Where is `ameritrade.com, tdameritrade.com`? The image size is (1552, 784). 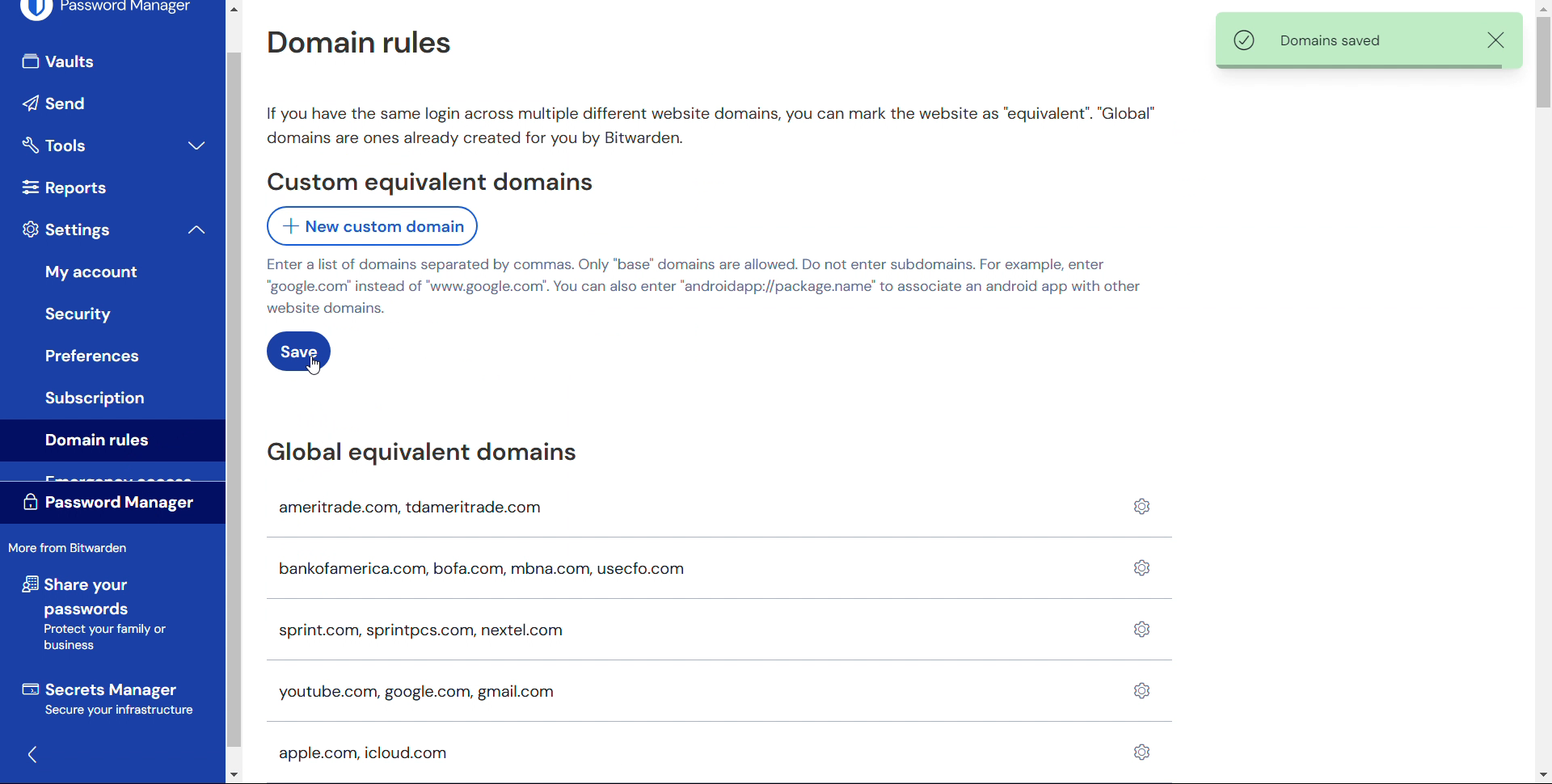
ameritrade.com, tdameritrade.com is located at coordinates (415, 508).